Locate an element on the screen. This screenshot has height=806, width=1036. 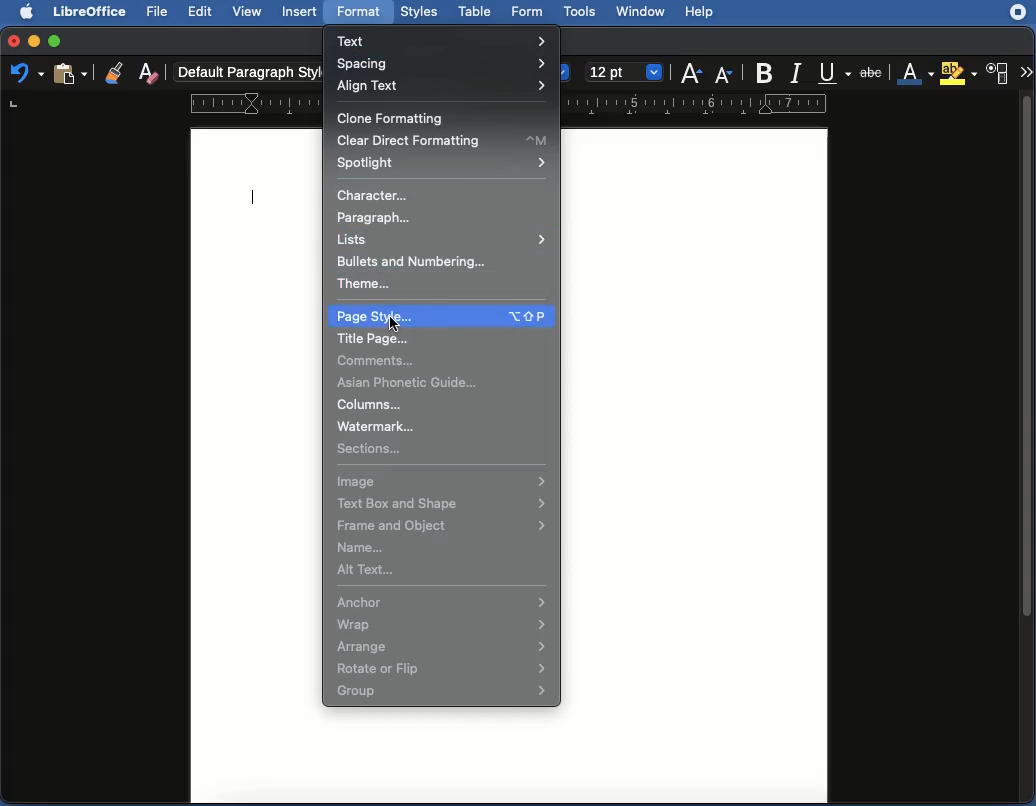
Group is located at coordinates (443, 691).